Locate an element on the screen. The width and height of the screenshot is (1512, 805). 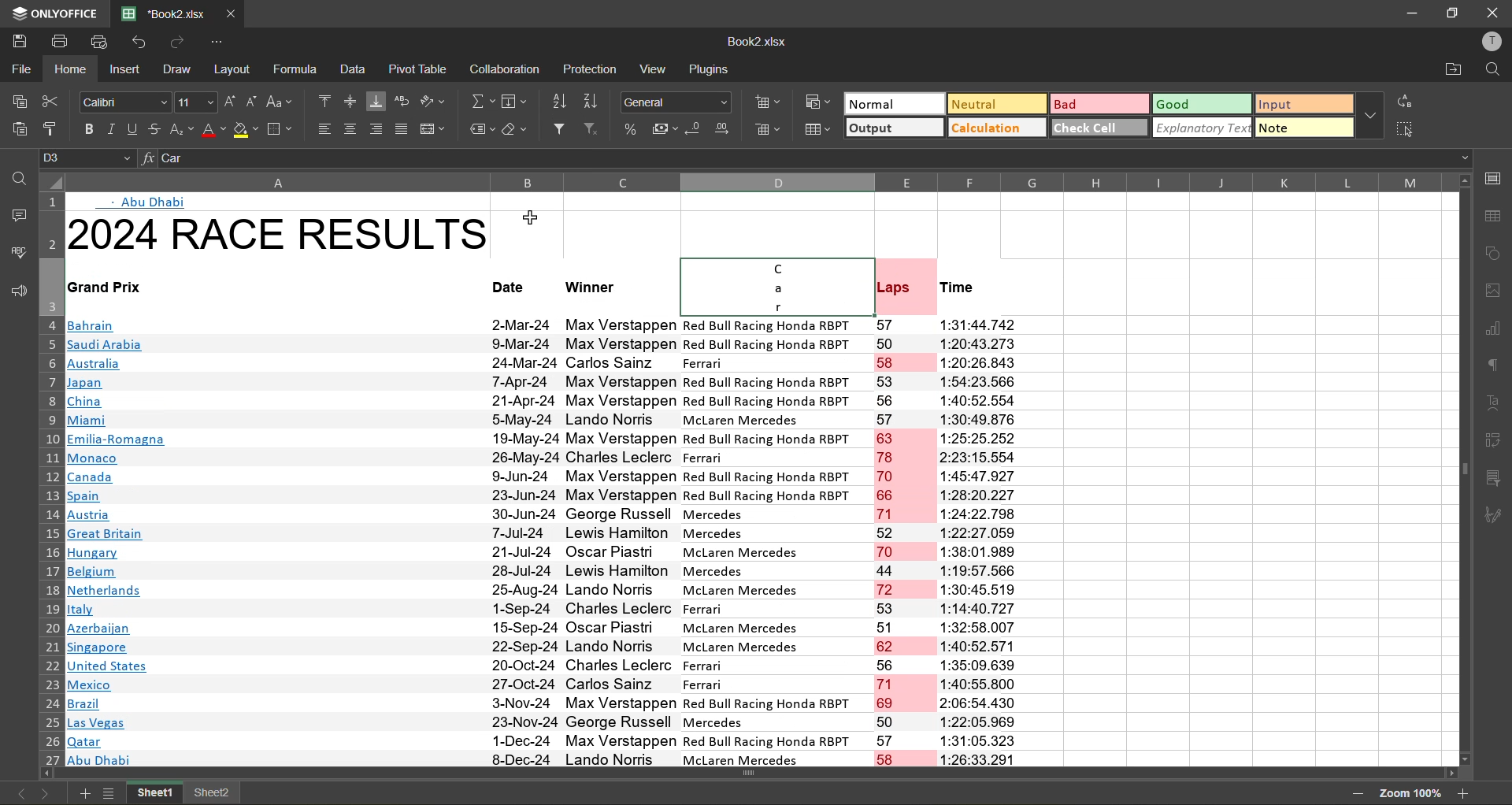
Dates is located at coordinates (507, 540).